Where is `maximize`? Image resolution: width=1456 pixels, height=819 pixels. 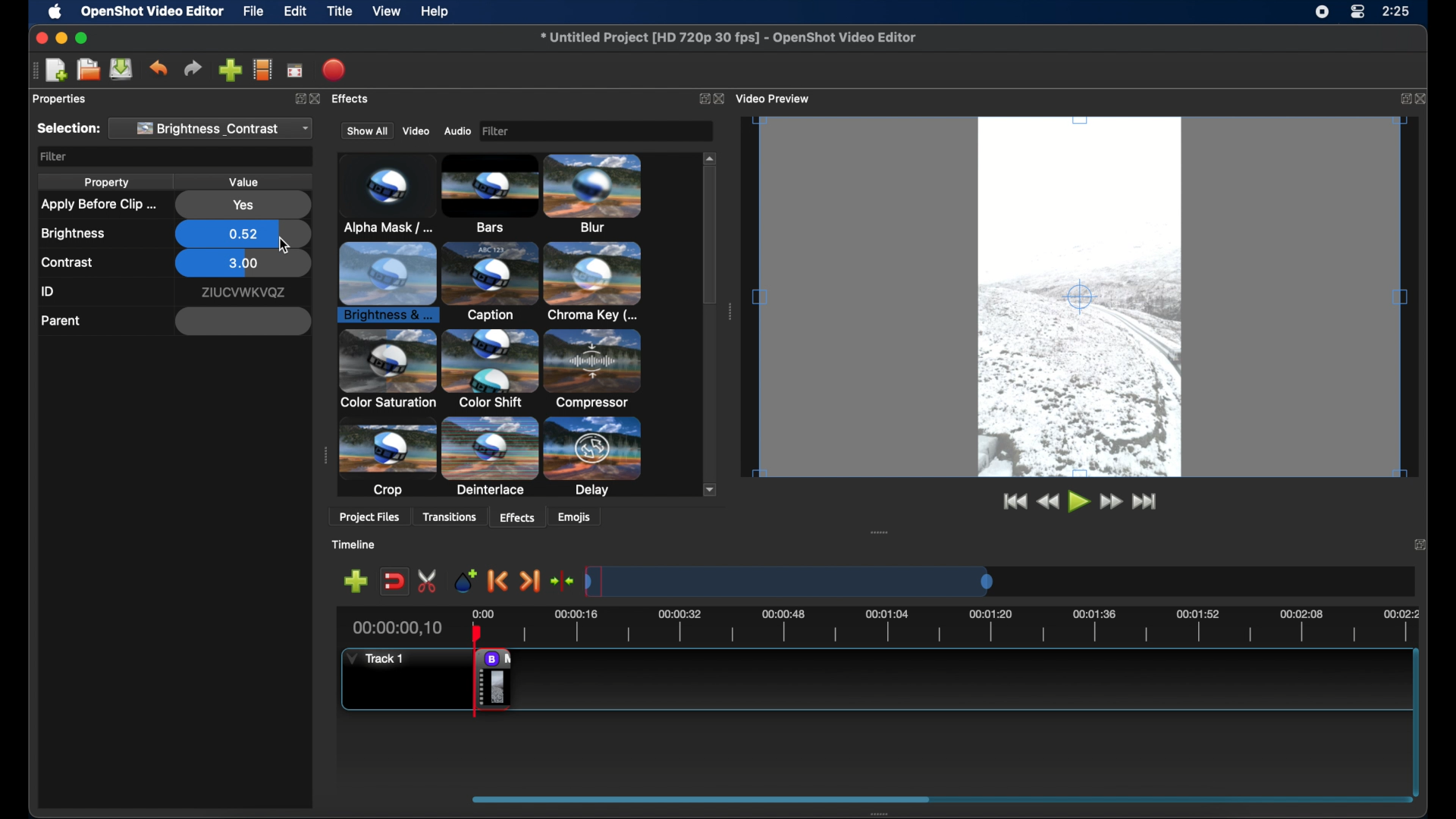 maximize is located at coordinates (83, 38).